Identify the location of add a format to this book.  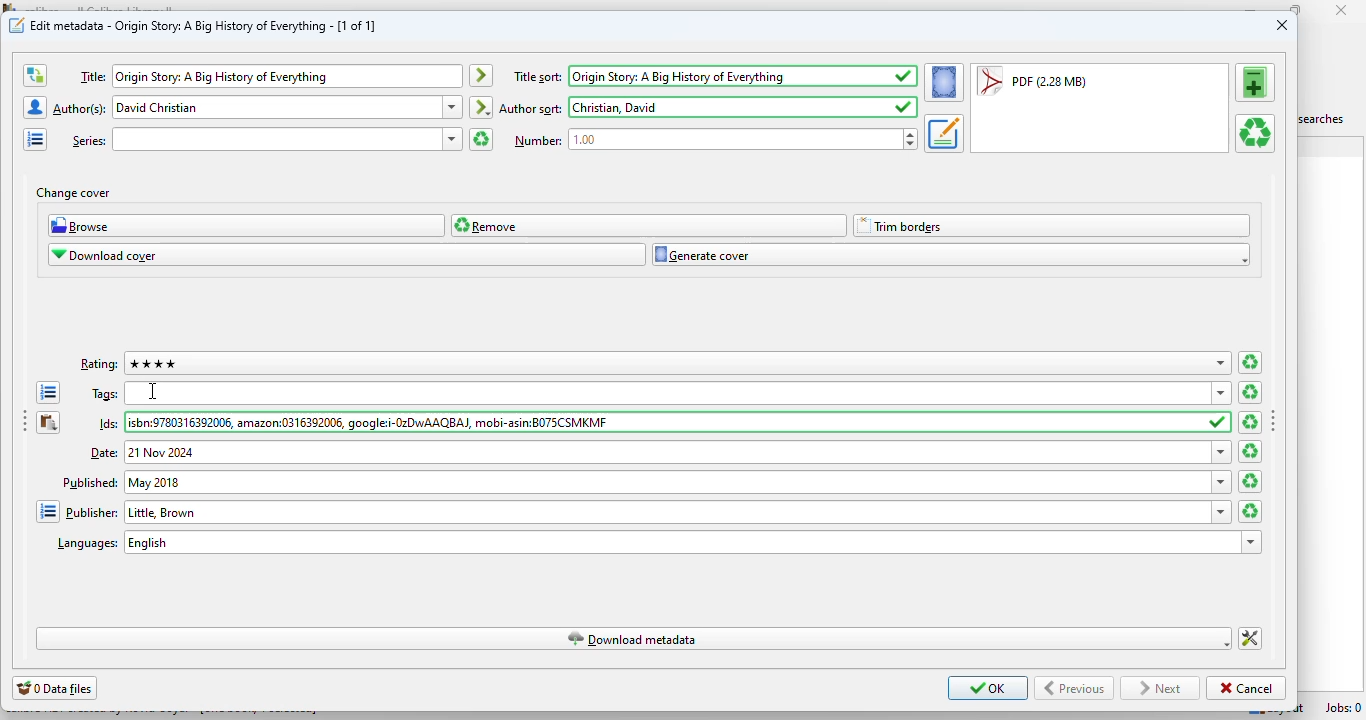
(1254, 82).